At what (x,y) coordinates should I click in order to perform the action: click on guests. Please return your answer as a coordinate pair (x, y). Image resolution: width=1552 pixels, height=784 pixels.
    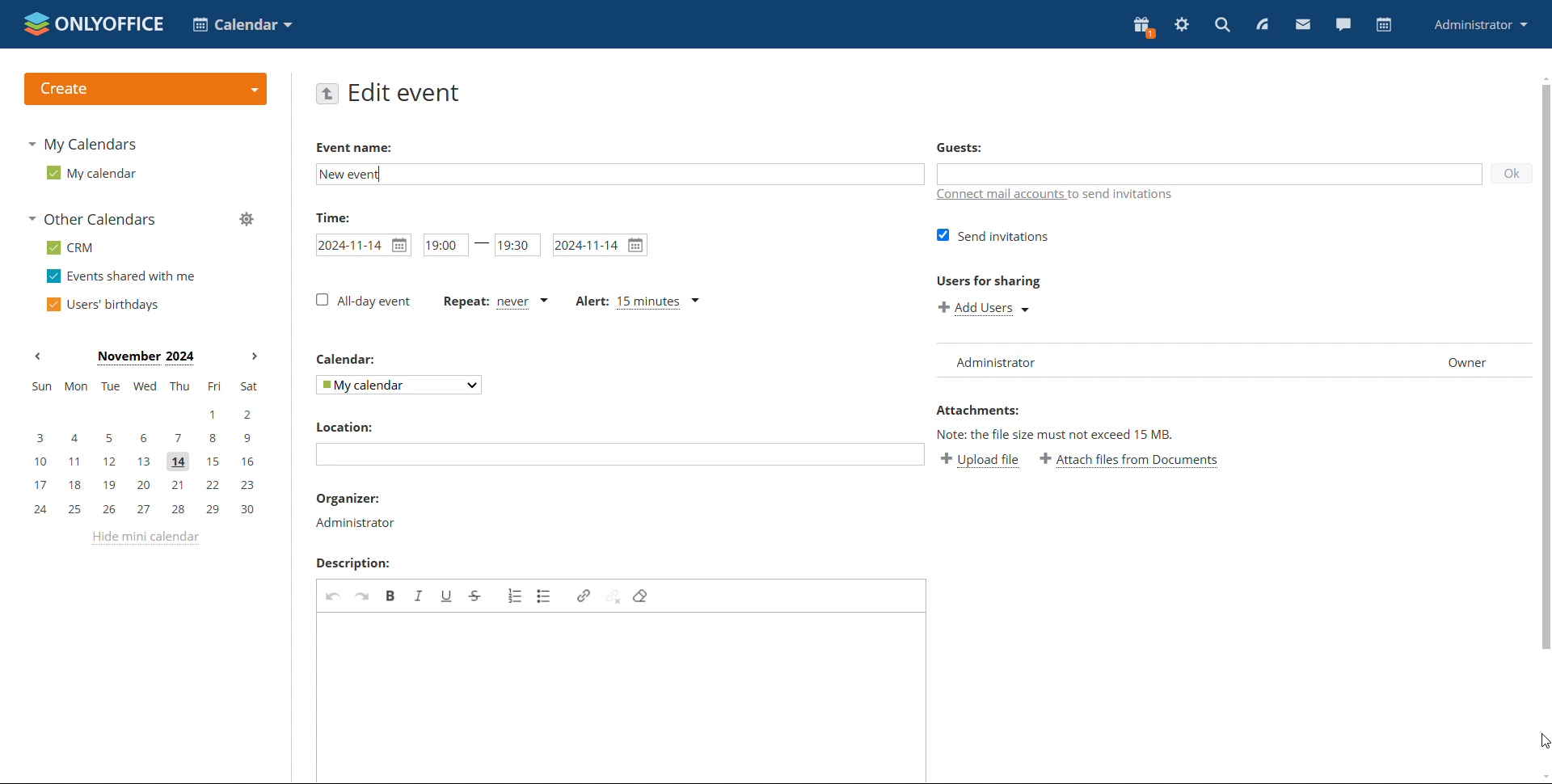
    Looking at the image, I should click on (976, 149).